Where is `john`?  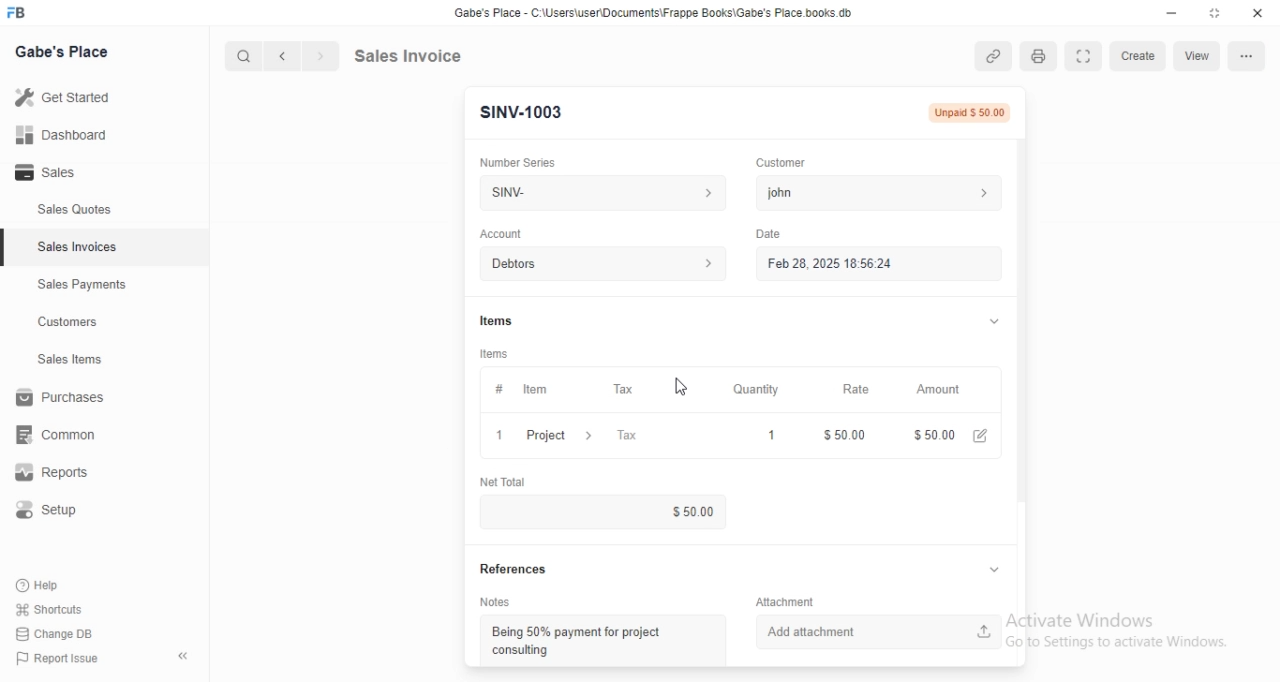
john is located at coordinates (876, 193).